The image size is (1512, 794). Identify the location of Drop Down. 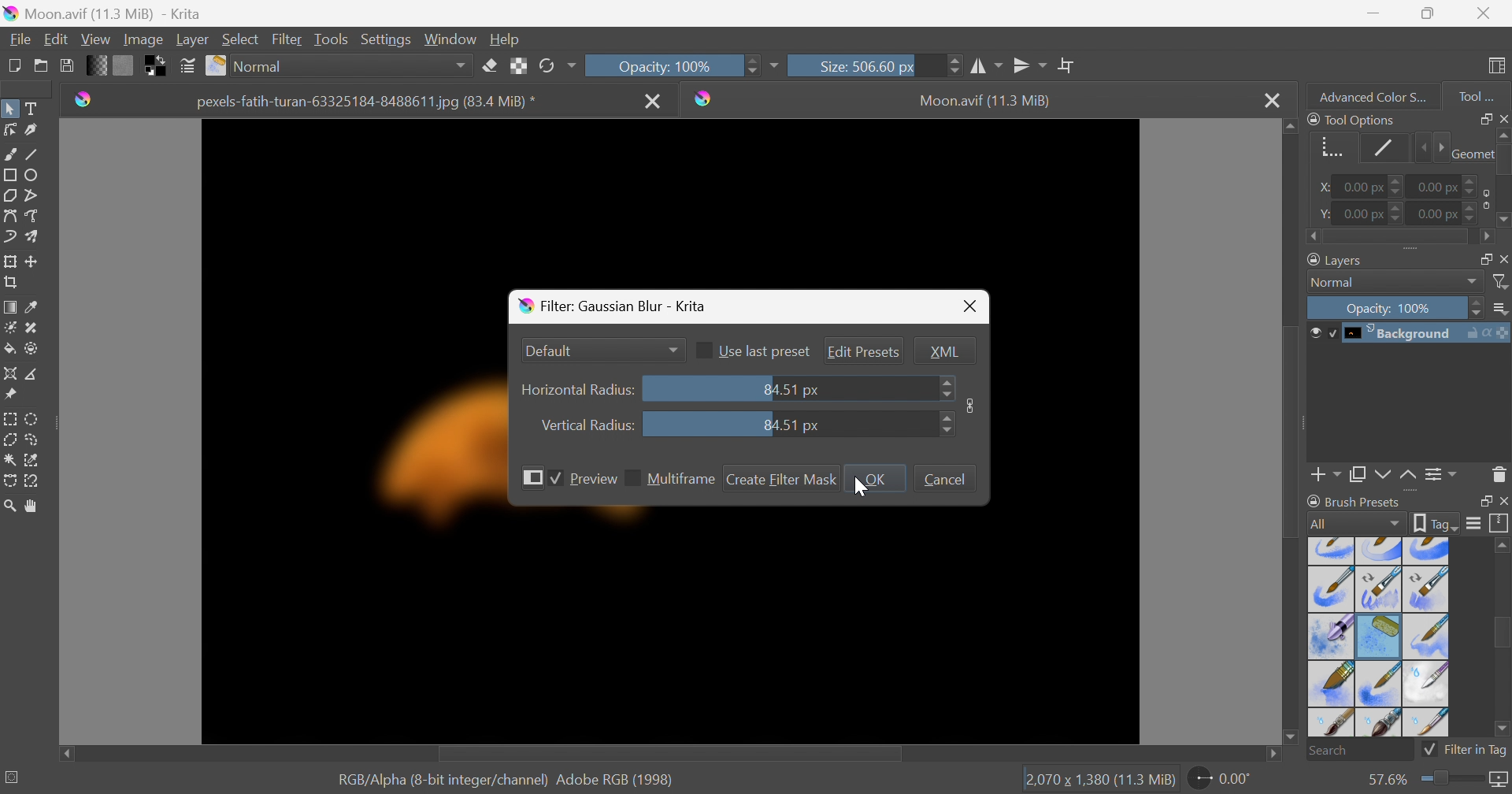
(673, 348).